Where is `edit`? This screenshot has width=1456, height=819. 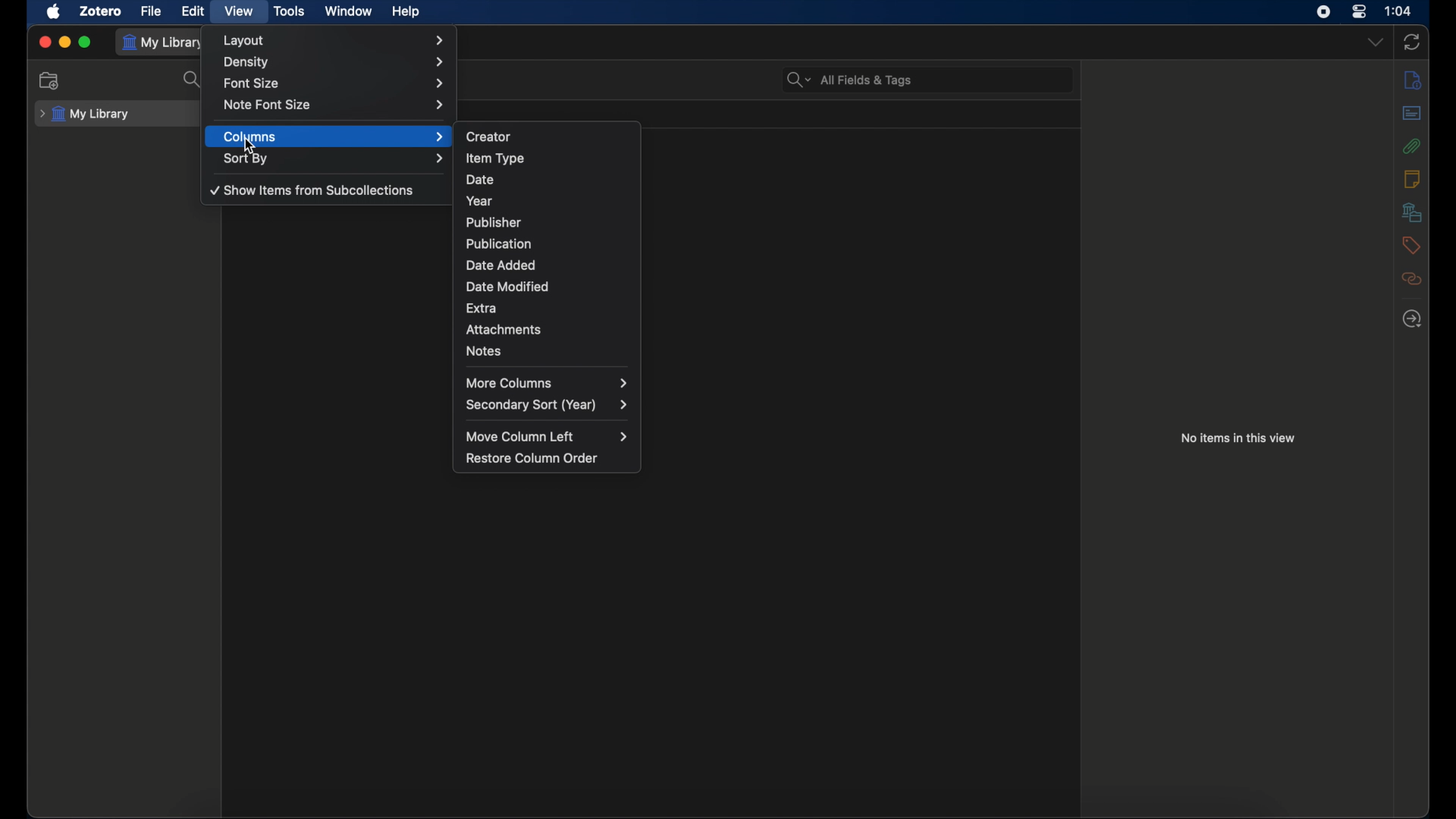
edit is located at coordinates (193, 11).